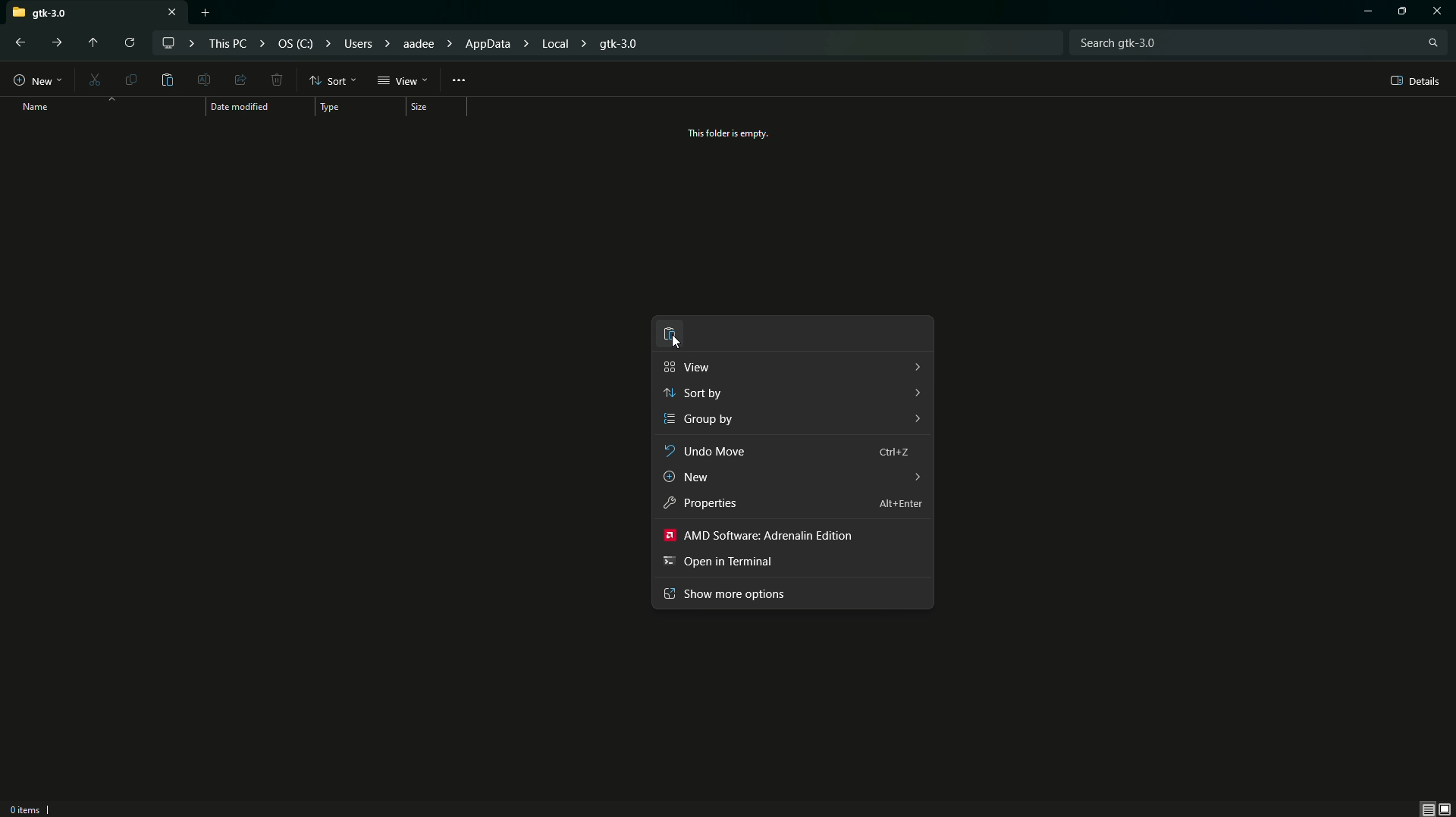 This screenshot has height=817, width=1456. I want to click on Size, so click(435, 109).